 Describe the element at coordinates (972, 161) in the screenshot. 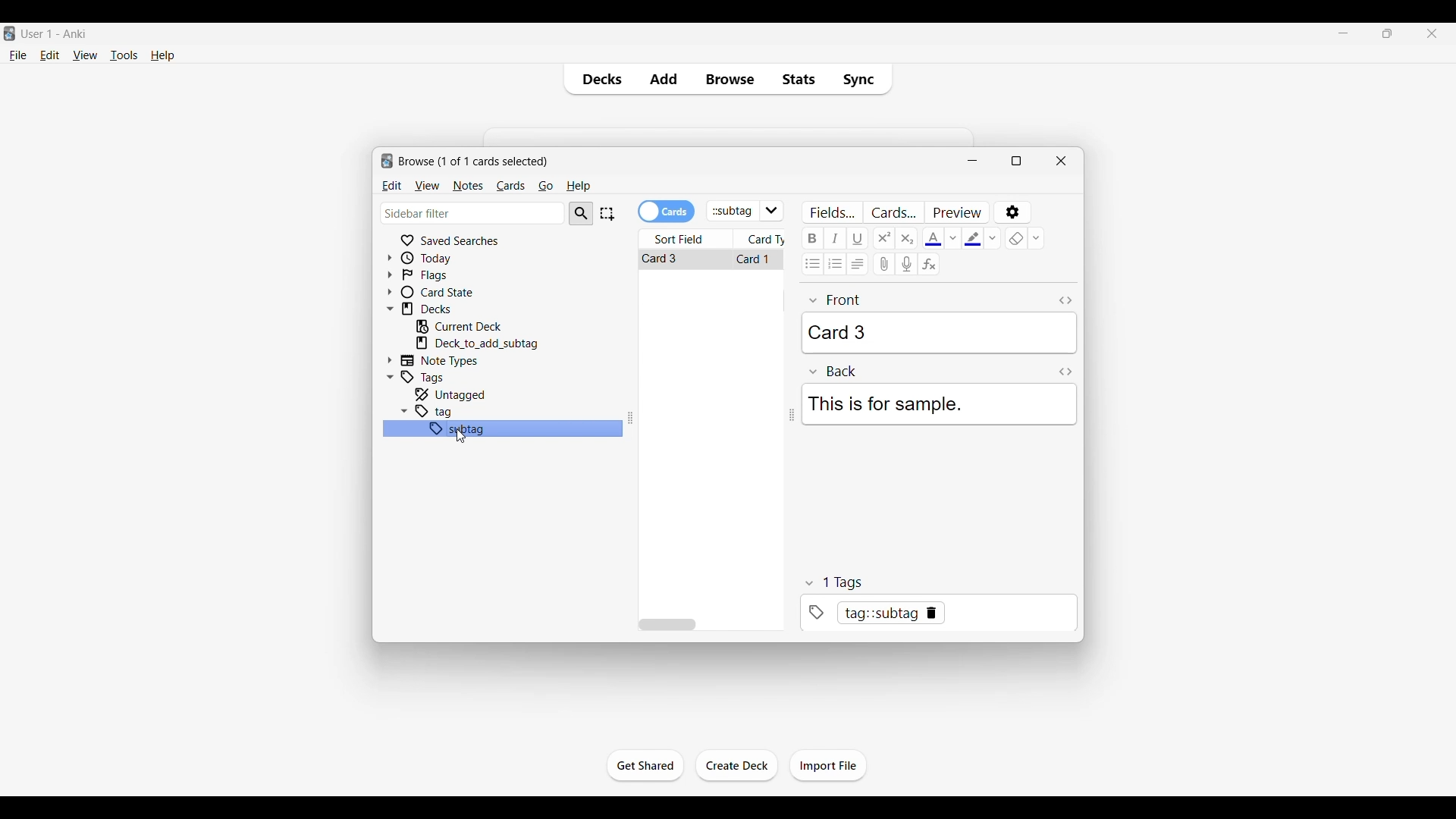

I see `Minimize` at that location.